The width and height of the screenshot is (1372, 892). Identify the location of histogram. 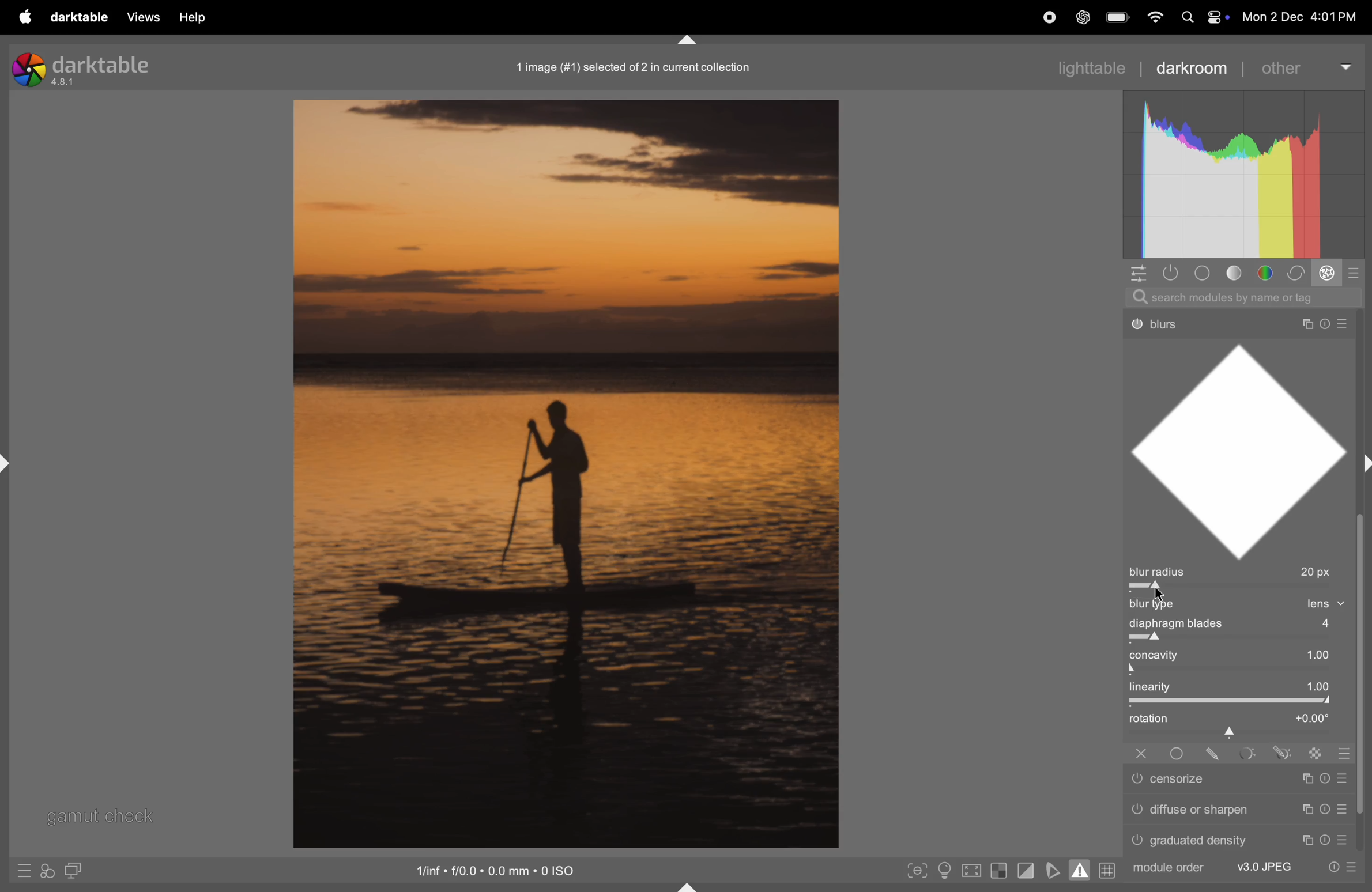
(1242, 176).